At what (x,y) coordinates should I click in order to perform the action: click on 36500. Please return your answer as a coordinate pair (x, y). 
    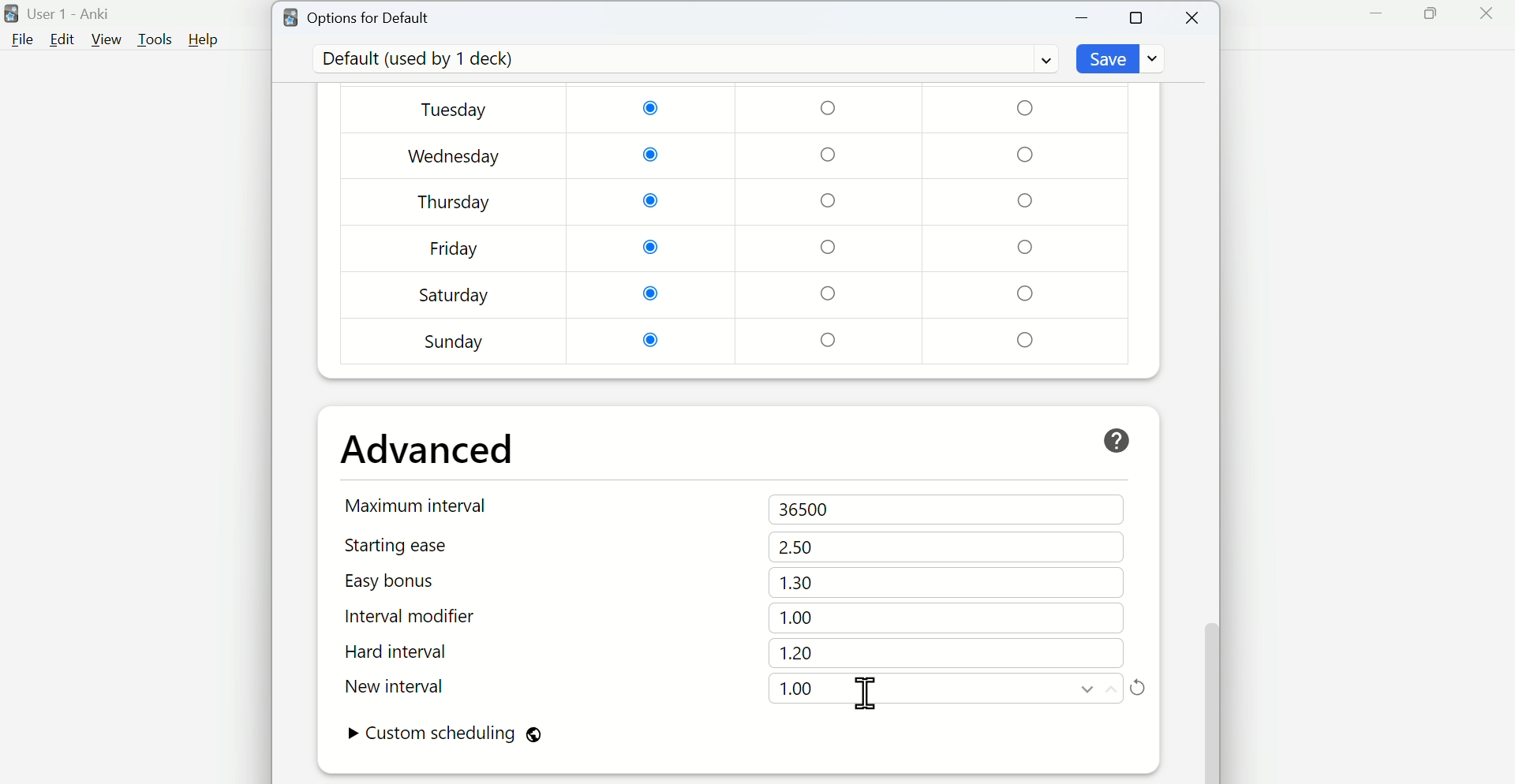
    Looking at the image, I should click on (808, 510).